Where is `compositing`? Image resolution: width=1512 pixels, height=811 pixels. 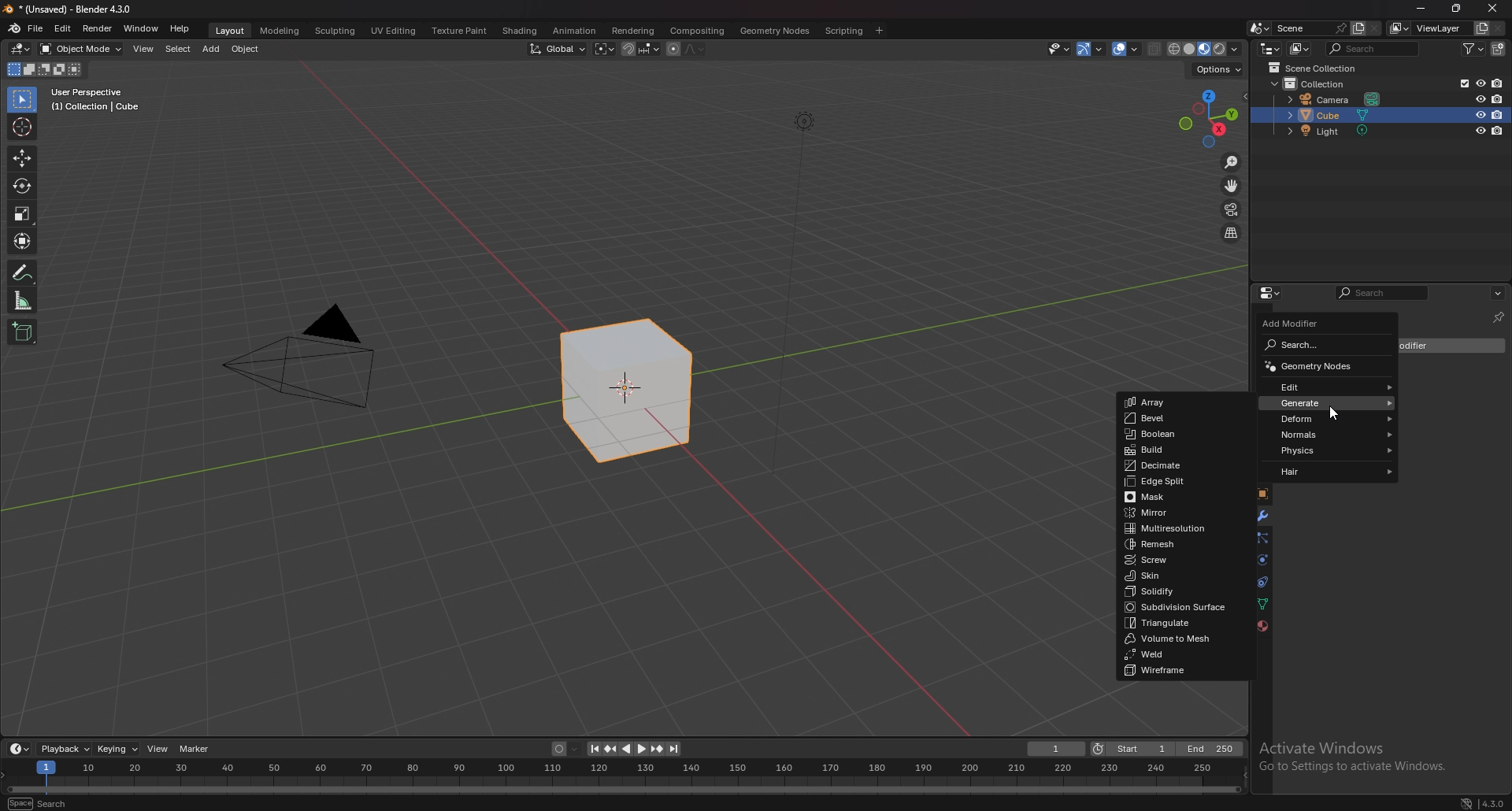 compositing is located at coordinates (699, 31).